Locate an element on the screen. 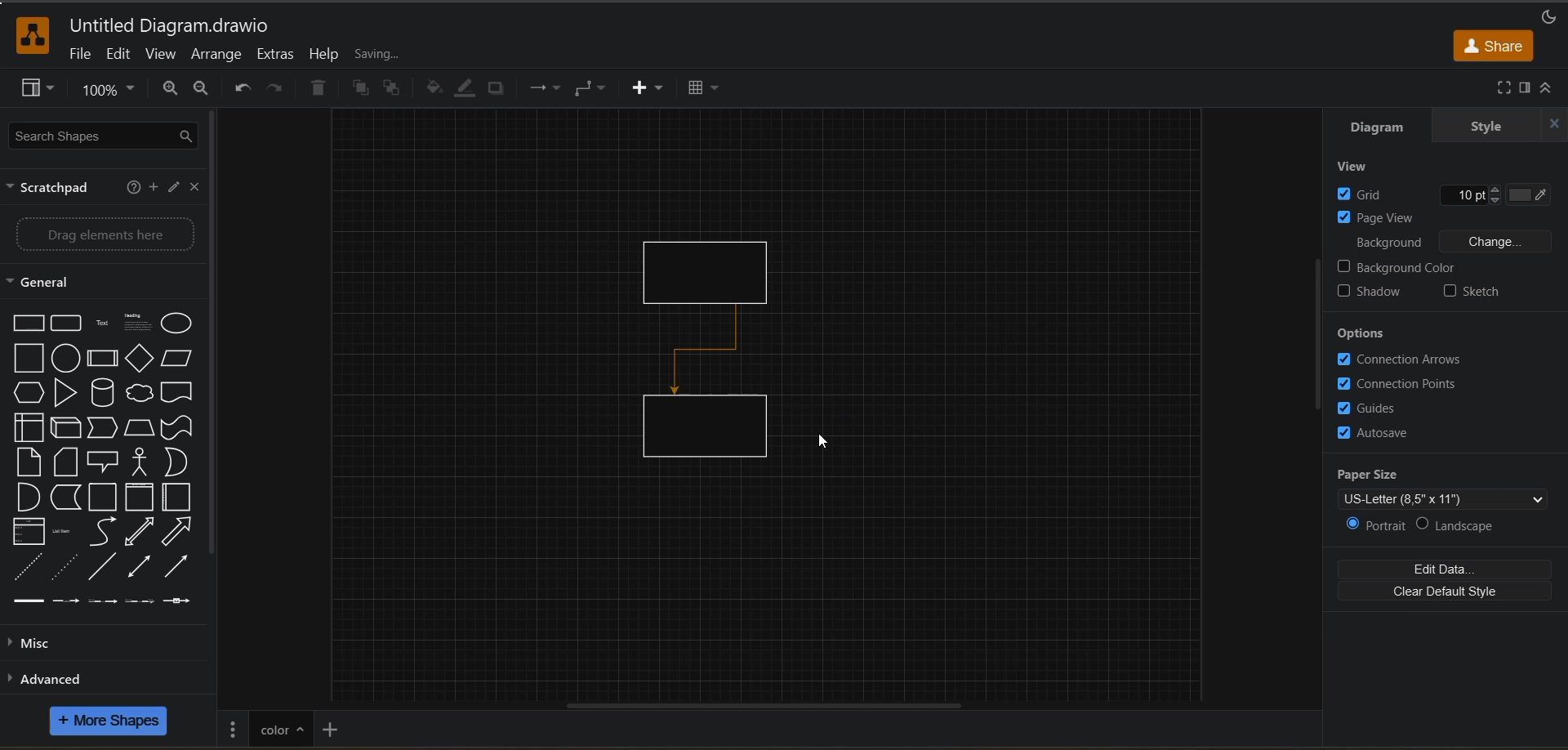 Image resolution: width=1568 pixels, height=750 pixels. autosave is located at coordinates (1373, 433).